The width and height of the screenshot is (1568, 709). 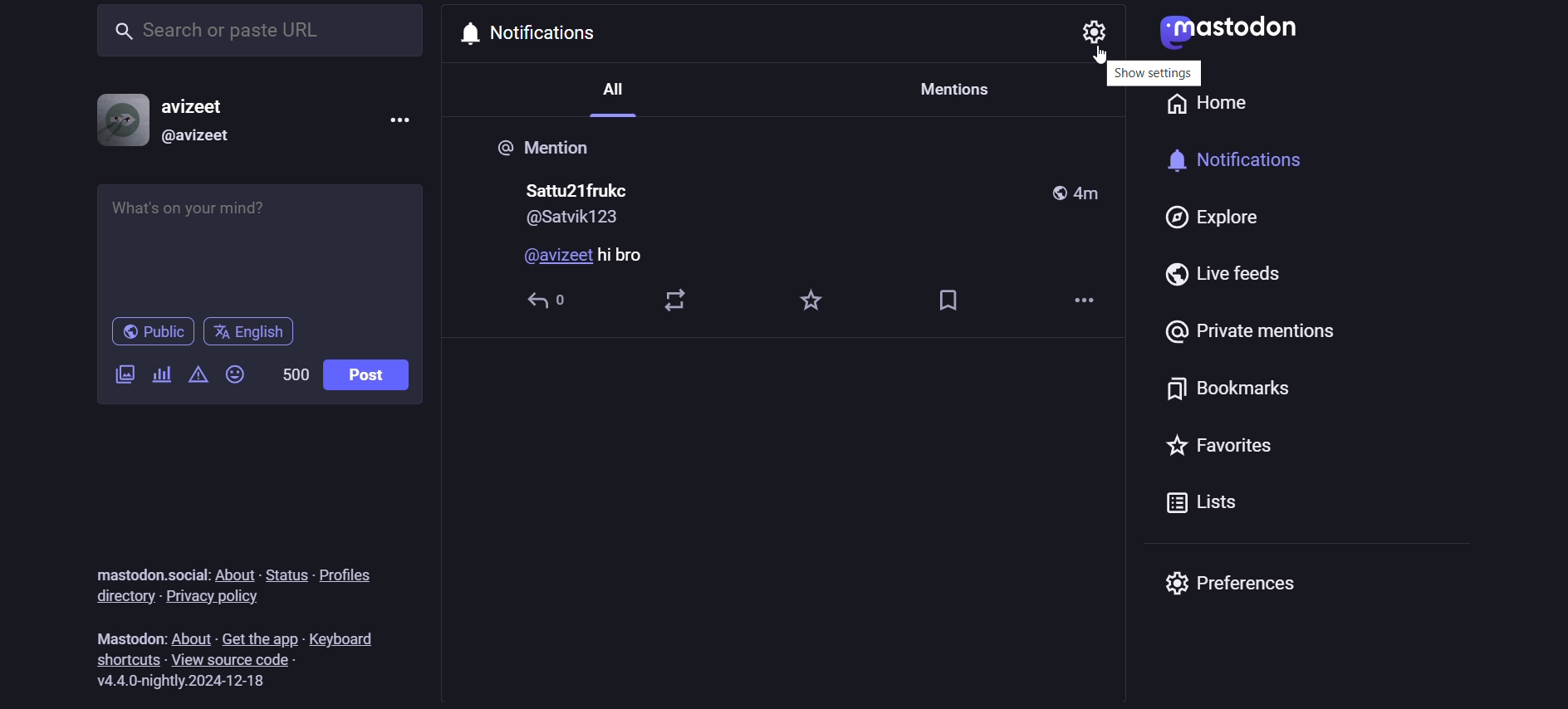 What do you see at coordinates (584, 257) in the screenshot?
I see `@avizeet hi bro` at bounding box center [584, 257].